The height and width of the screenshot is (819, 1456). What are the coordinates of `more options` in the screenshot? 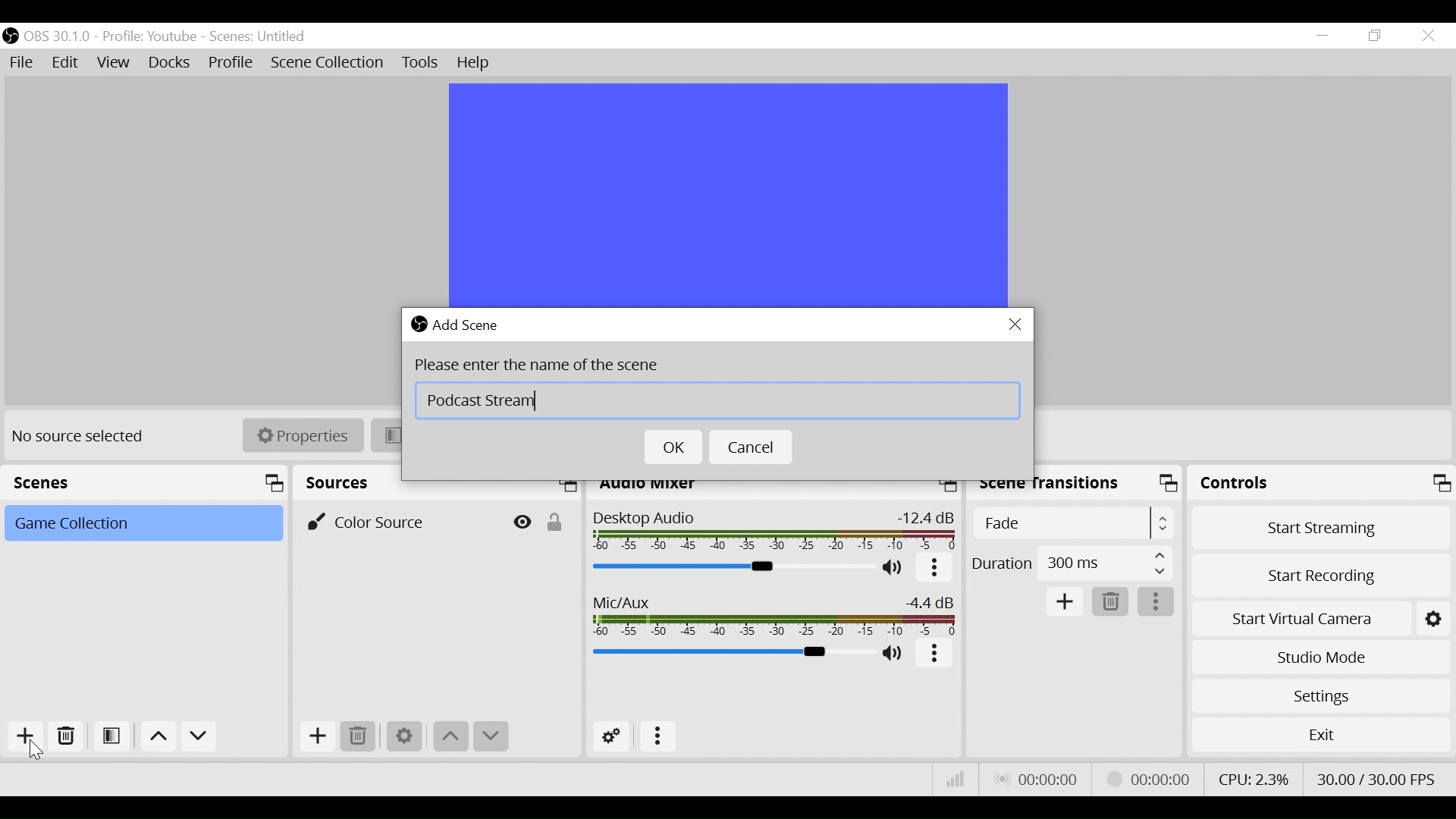 It's located at (1158, 602).